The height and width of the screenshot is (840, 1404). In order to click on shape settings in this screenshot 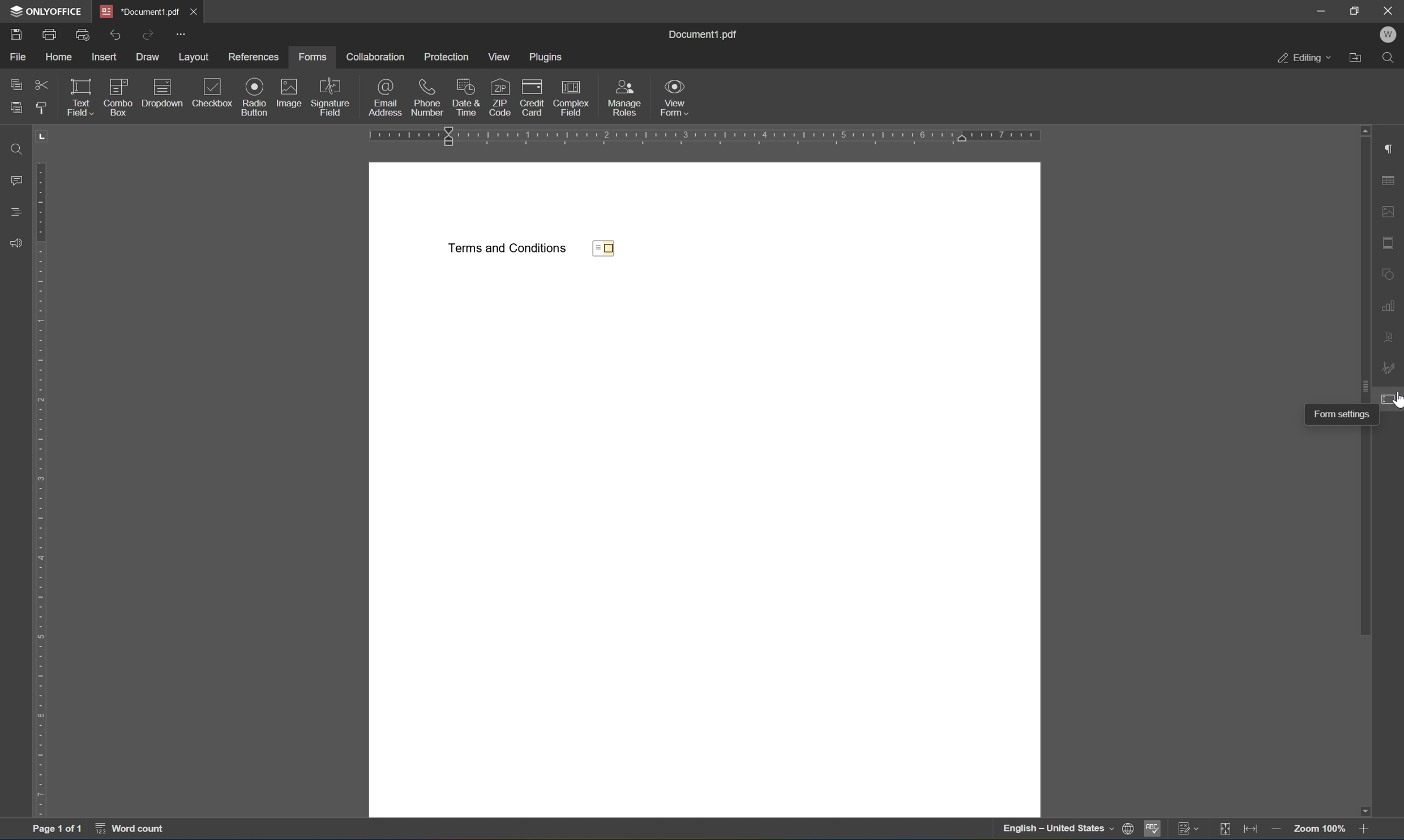, I will do `click(1391, 275)`.